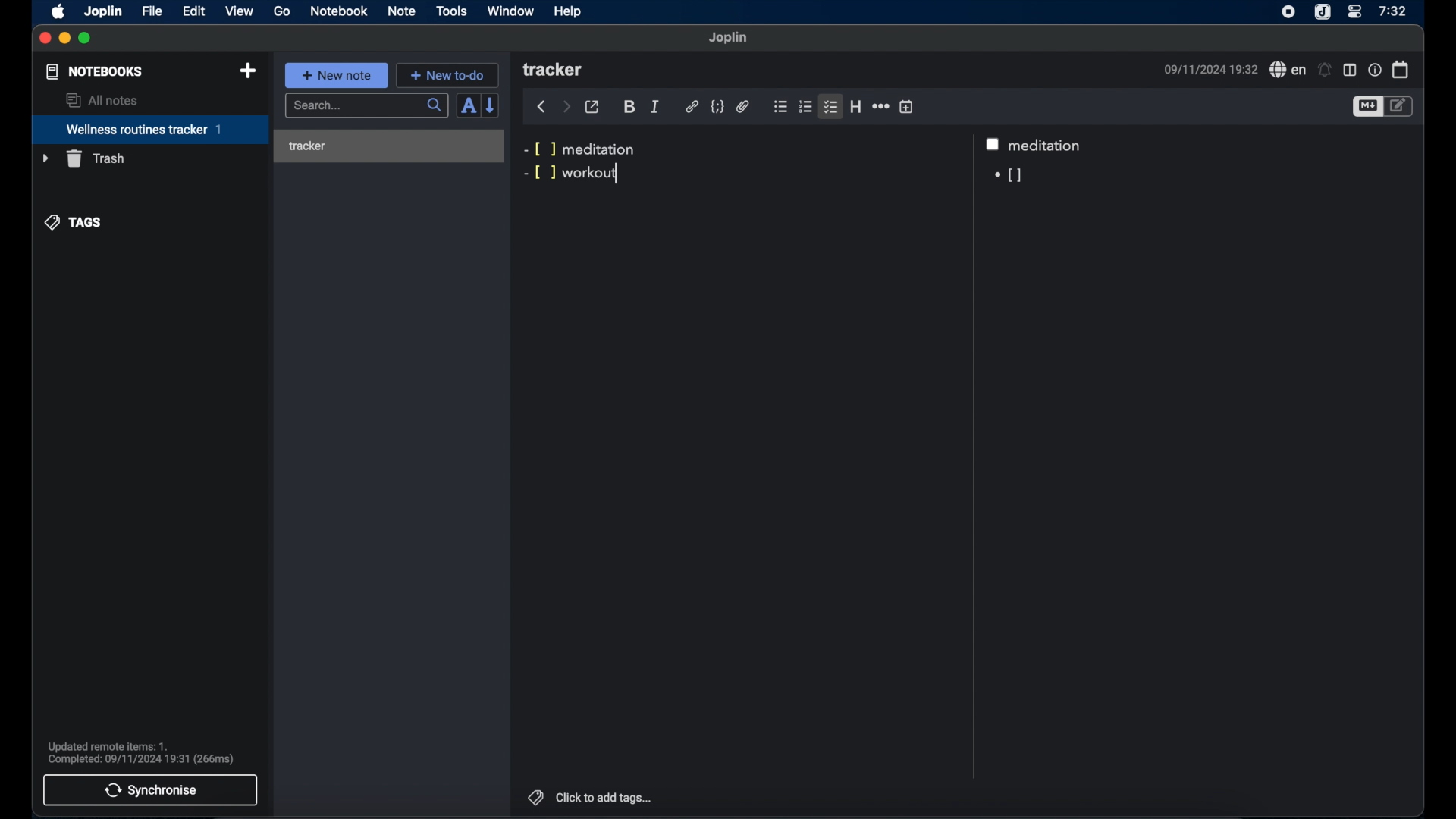 The width and height of the screenshot is (1456, 819). What do you see at coordinates (95, 71) in the screenshot?
I see `notebooks` at bounding box center [95, 71].